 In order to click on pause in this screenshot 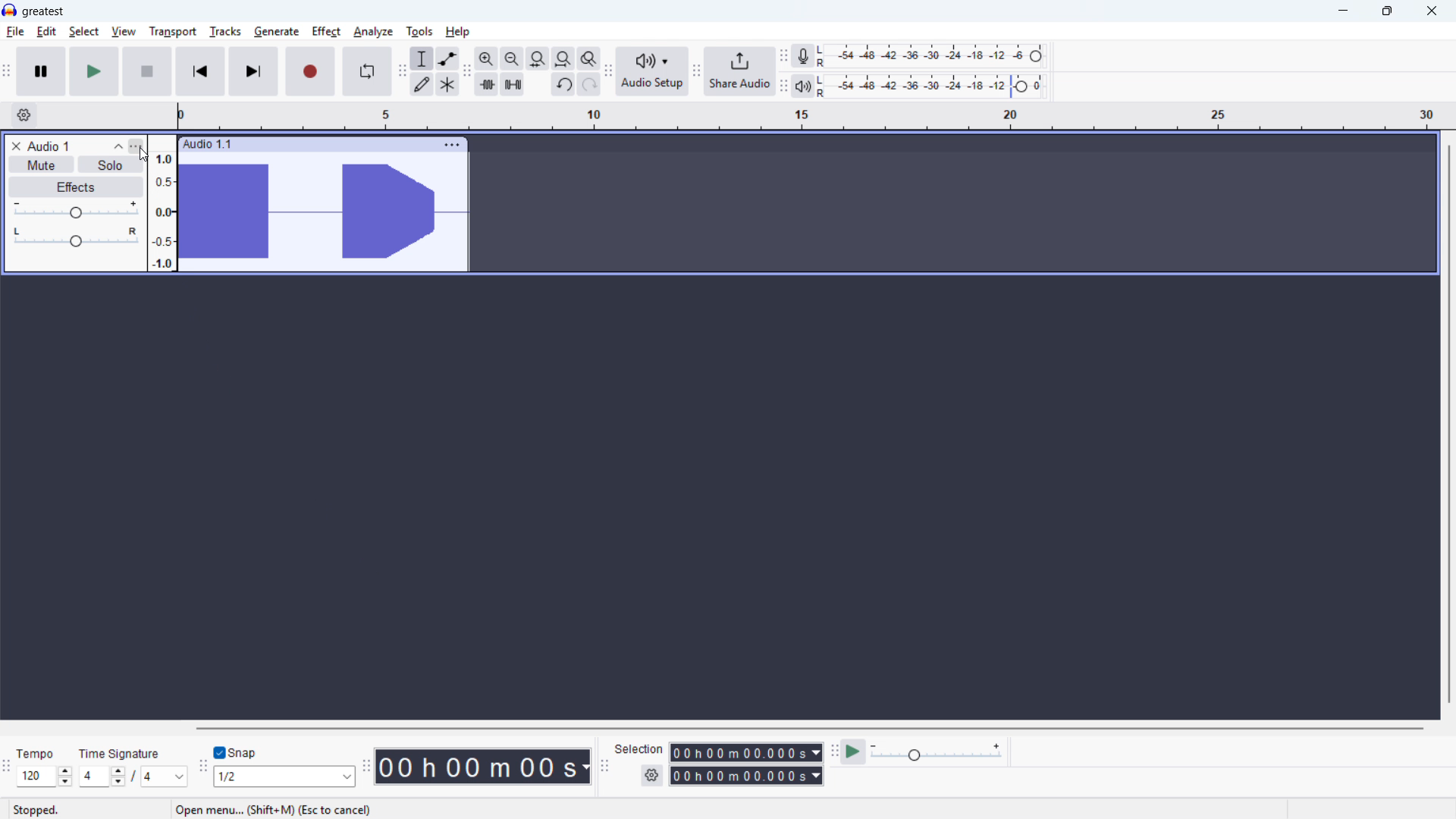, I will do `click(42, 72)`.